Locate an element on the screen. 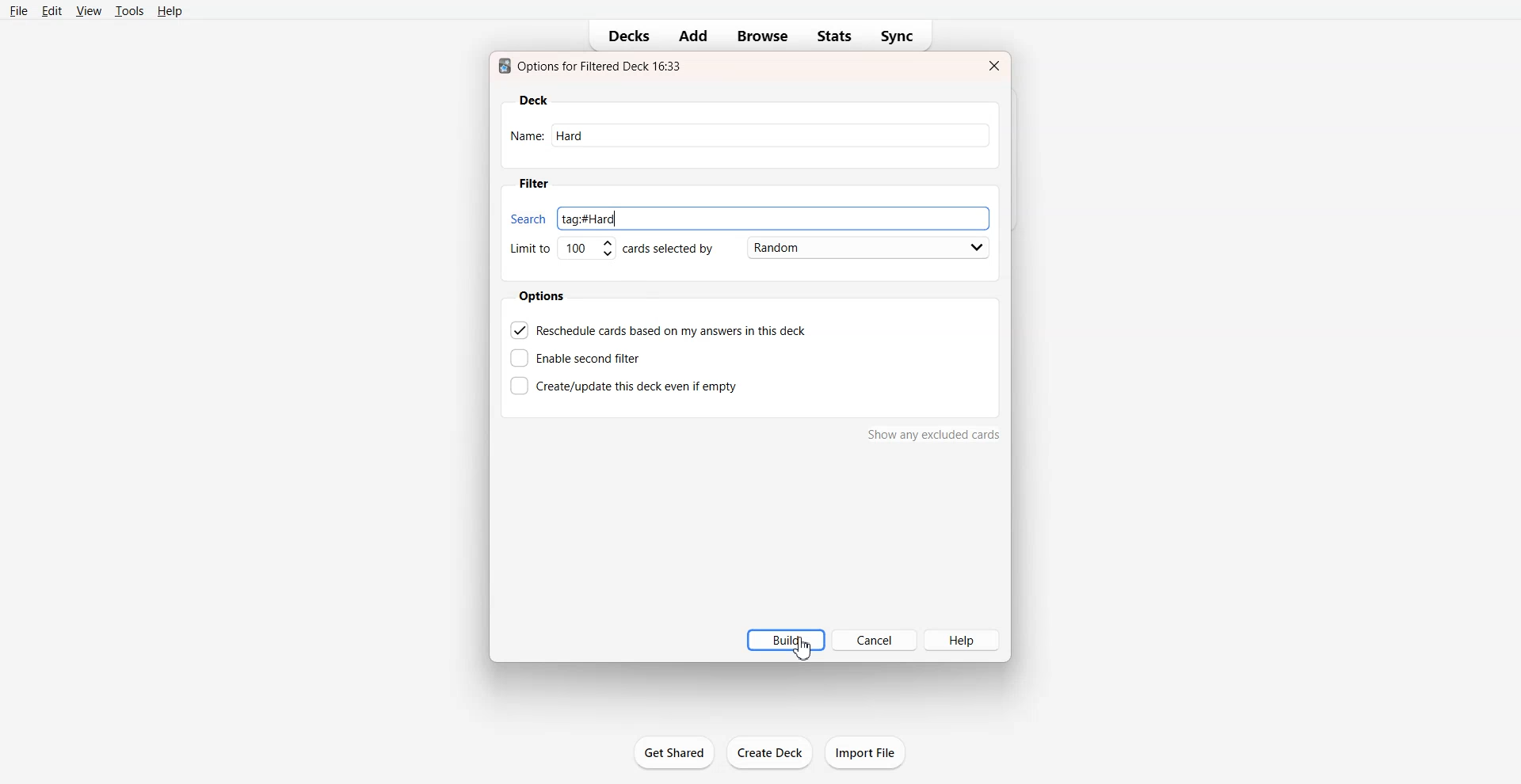 Image resolution: width=1521 pixels, height=784 pixels. Deck is located at coordinates (534, 101).